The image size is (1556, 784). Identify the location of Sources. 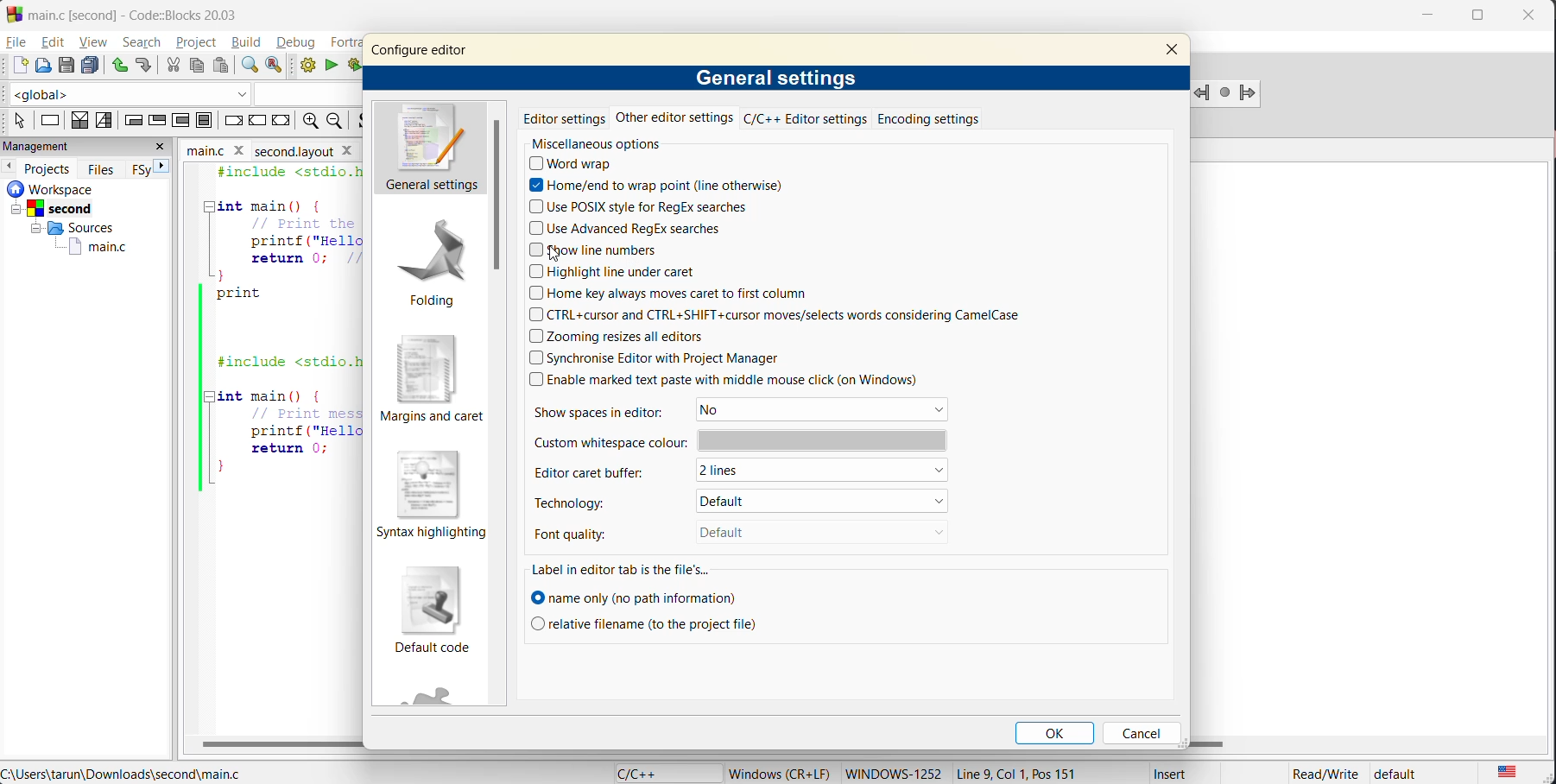
(66, 228).